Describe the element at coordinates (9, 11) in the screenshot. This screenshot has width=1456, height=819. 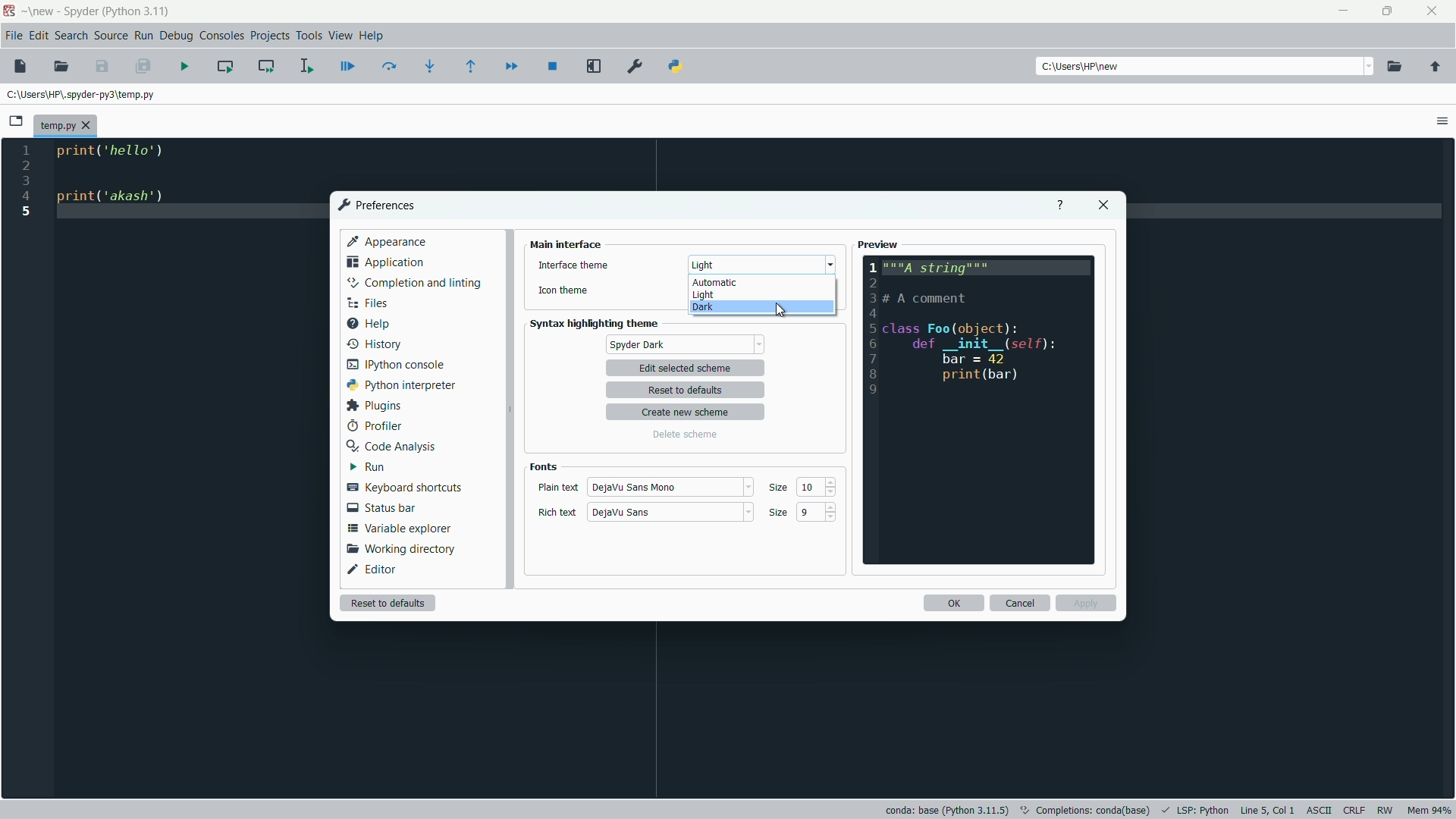
I see `app icon` at that location.